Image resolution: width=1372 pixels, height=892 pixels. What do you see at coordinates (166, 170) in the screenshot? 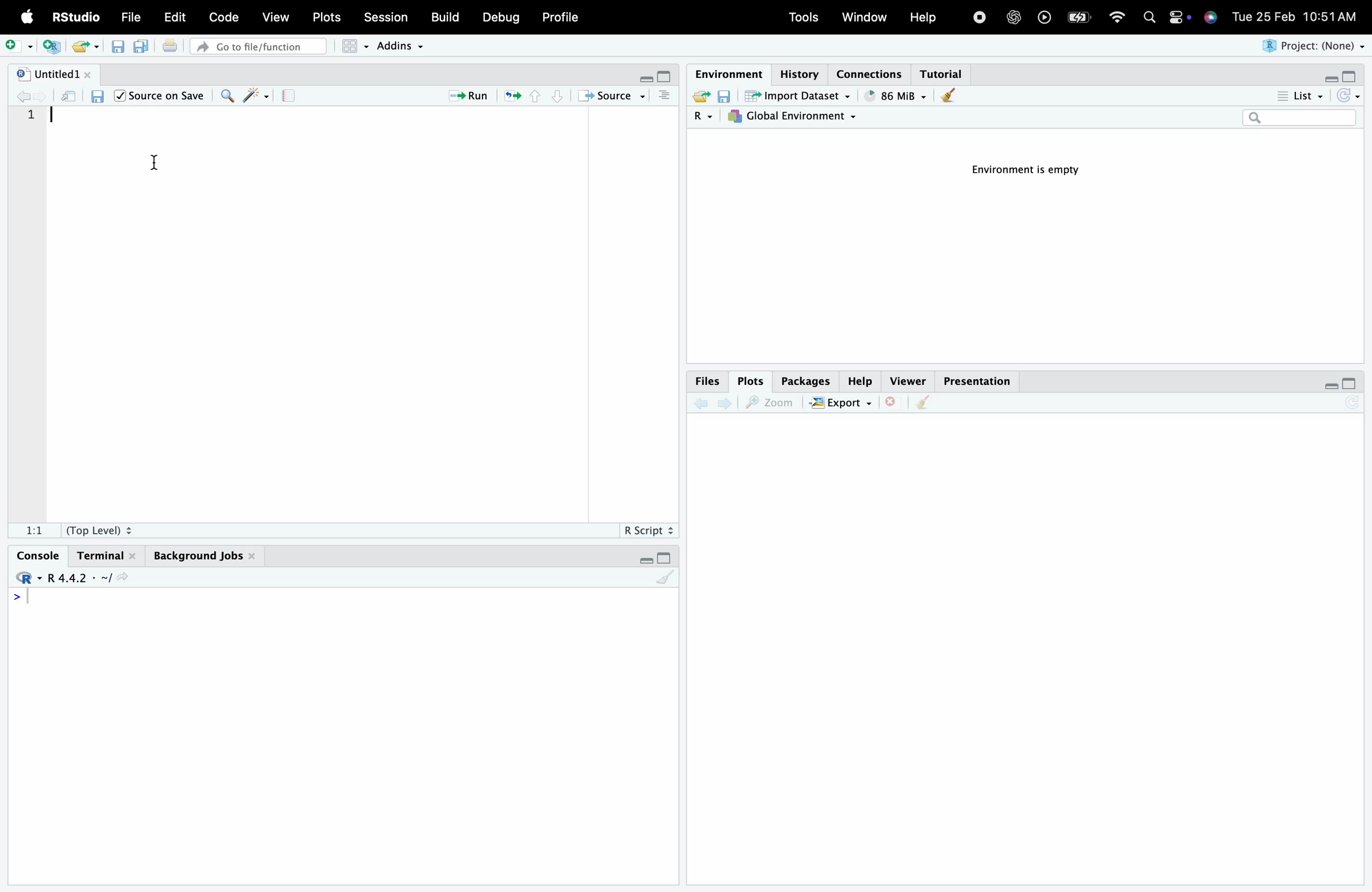
I see `cursor` at bounding box center [166, 170].